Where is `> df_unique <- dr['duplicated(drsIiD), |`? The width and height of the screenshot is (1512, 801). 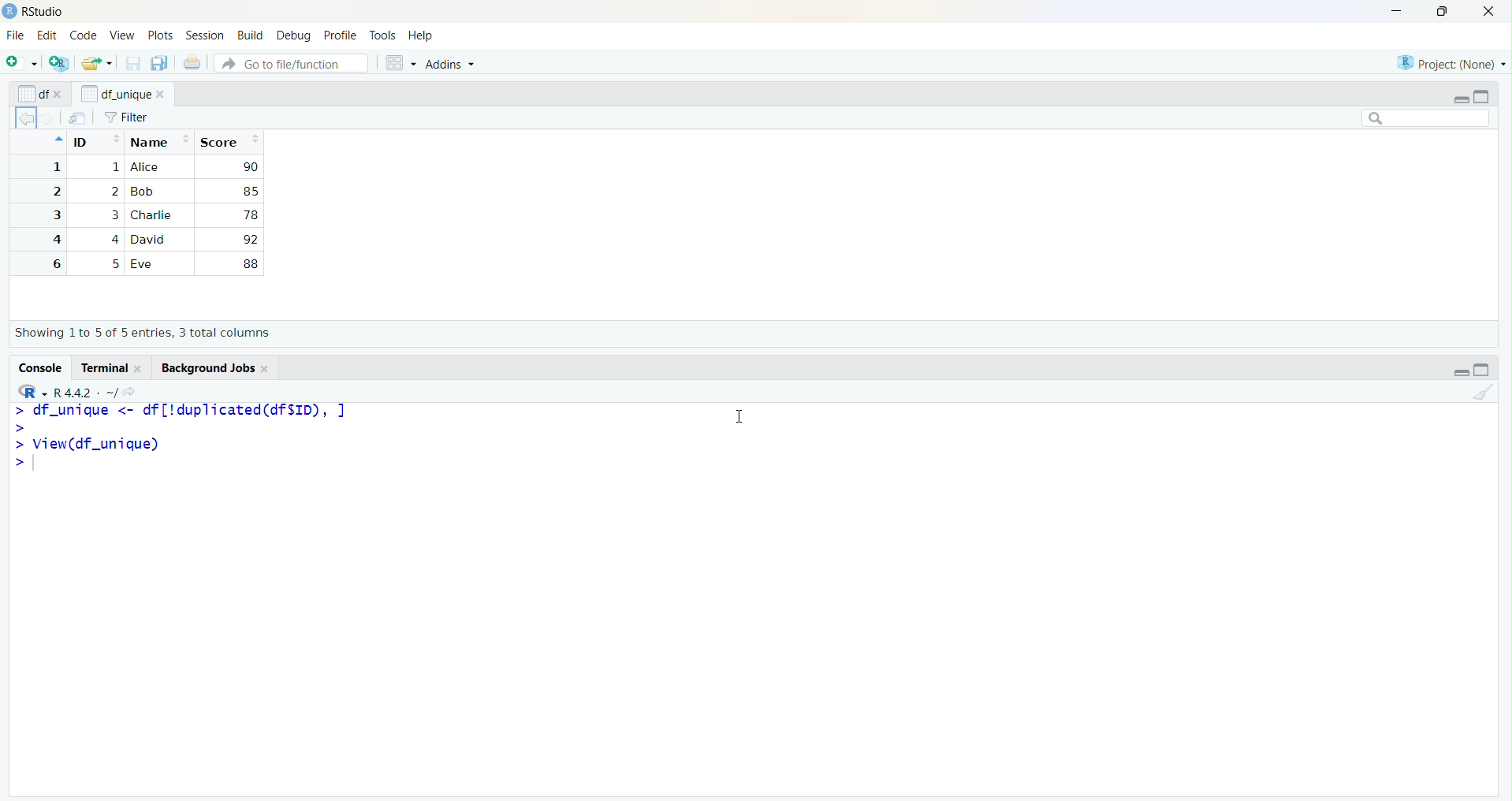 > df_unique <- dr['duplicated(drsIiD), | is located at coordinates (192, 410).